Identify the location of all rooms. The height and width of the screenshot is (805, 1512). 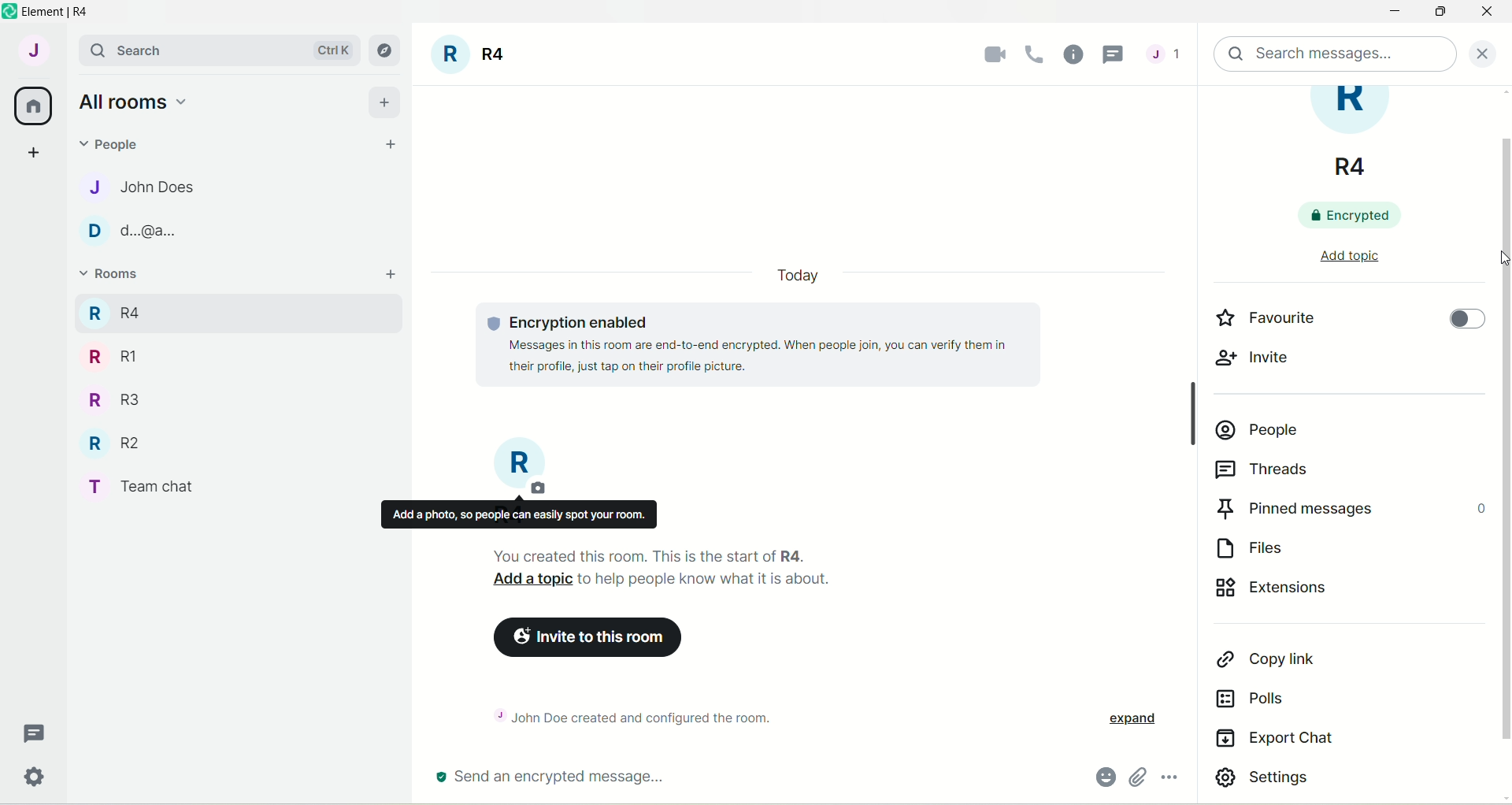
(34, 106).